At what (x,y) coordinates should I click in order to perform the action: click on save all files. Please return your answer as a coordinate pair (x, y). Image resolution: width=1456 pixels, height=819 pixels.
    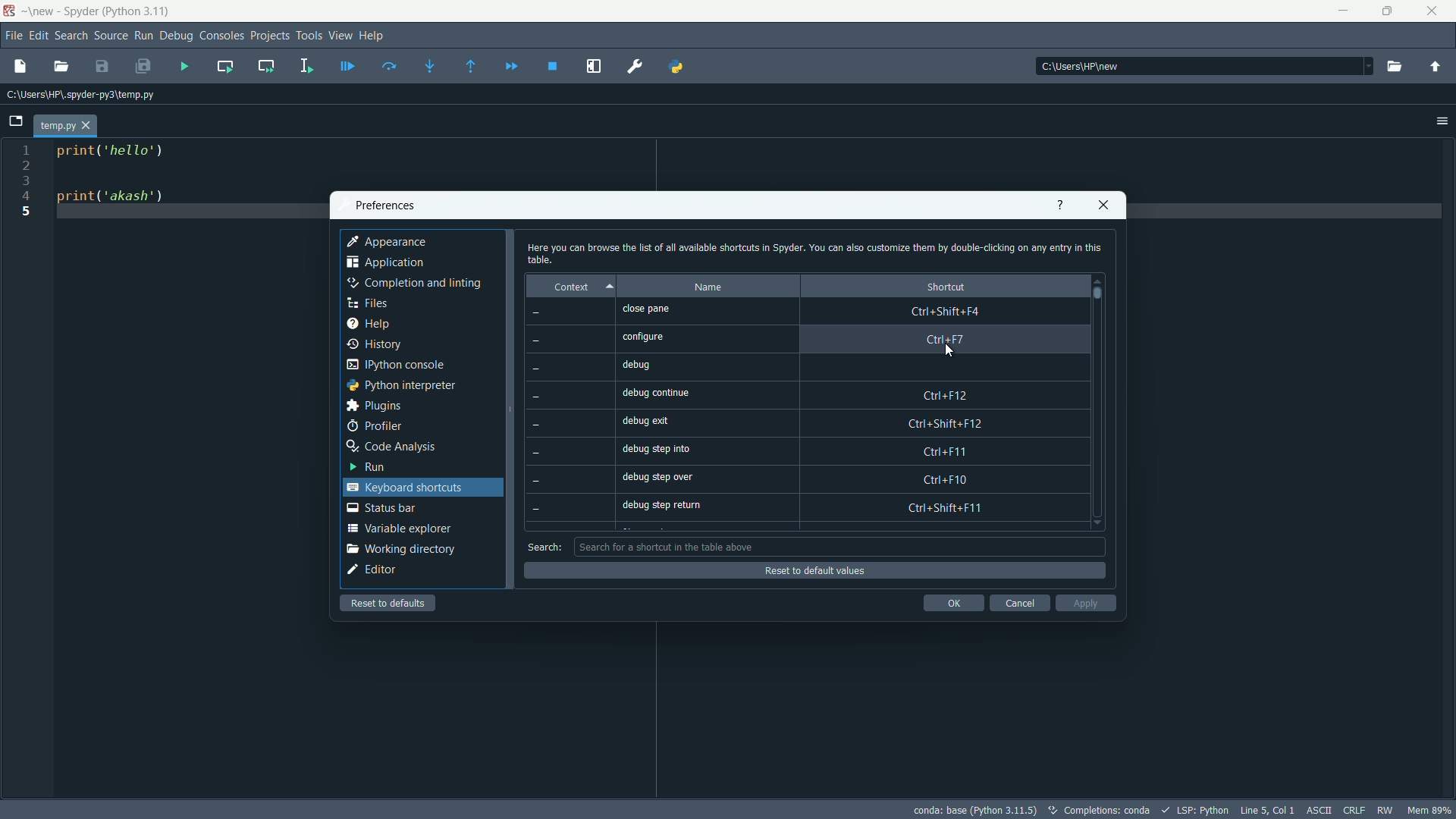
    Looking at the image, I should click on (143, 67).